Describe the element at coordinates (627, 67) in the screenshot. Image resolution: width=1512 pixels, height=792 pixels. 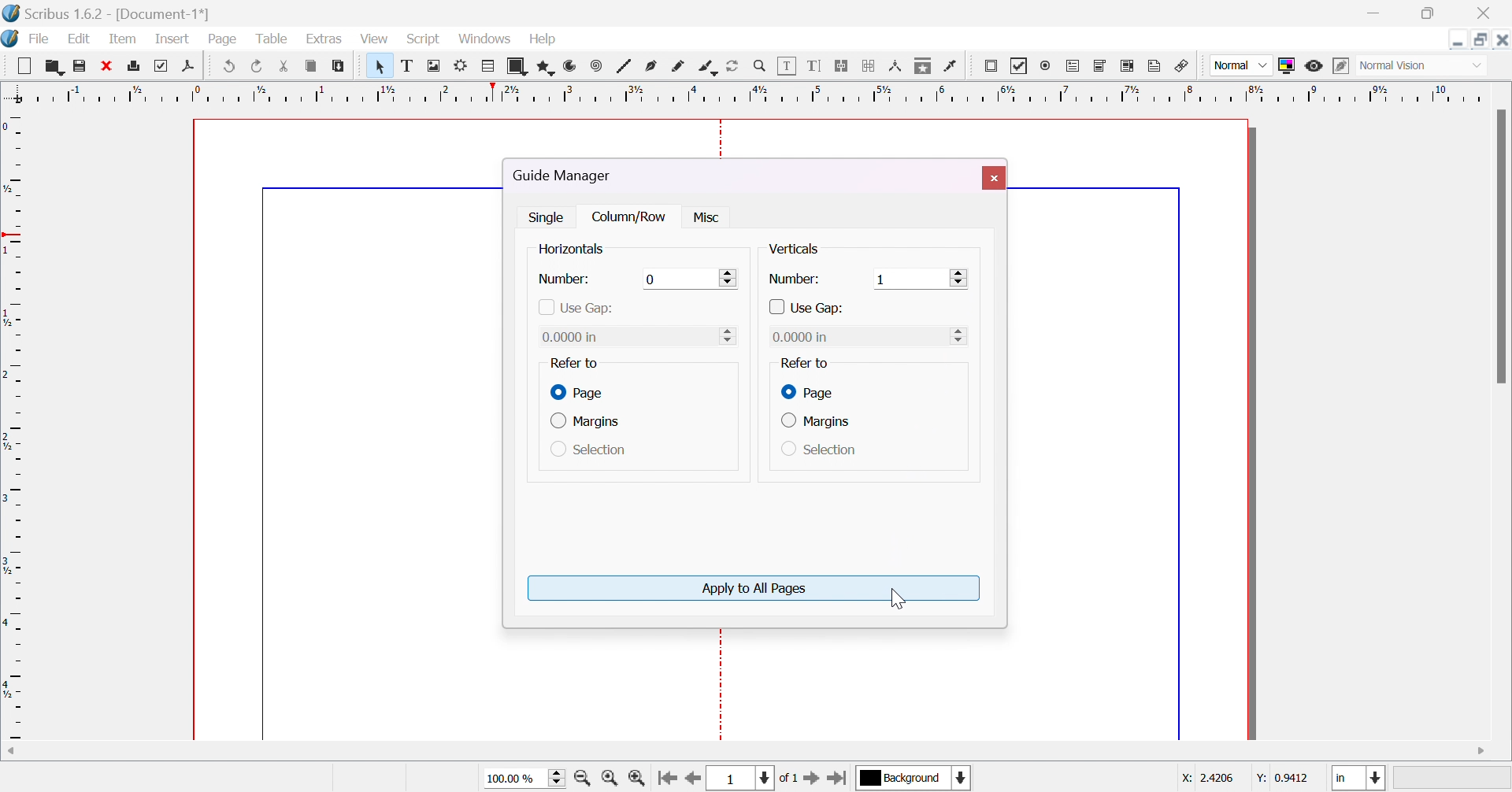
I see `line` at that location.